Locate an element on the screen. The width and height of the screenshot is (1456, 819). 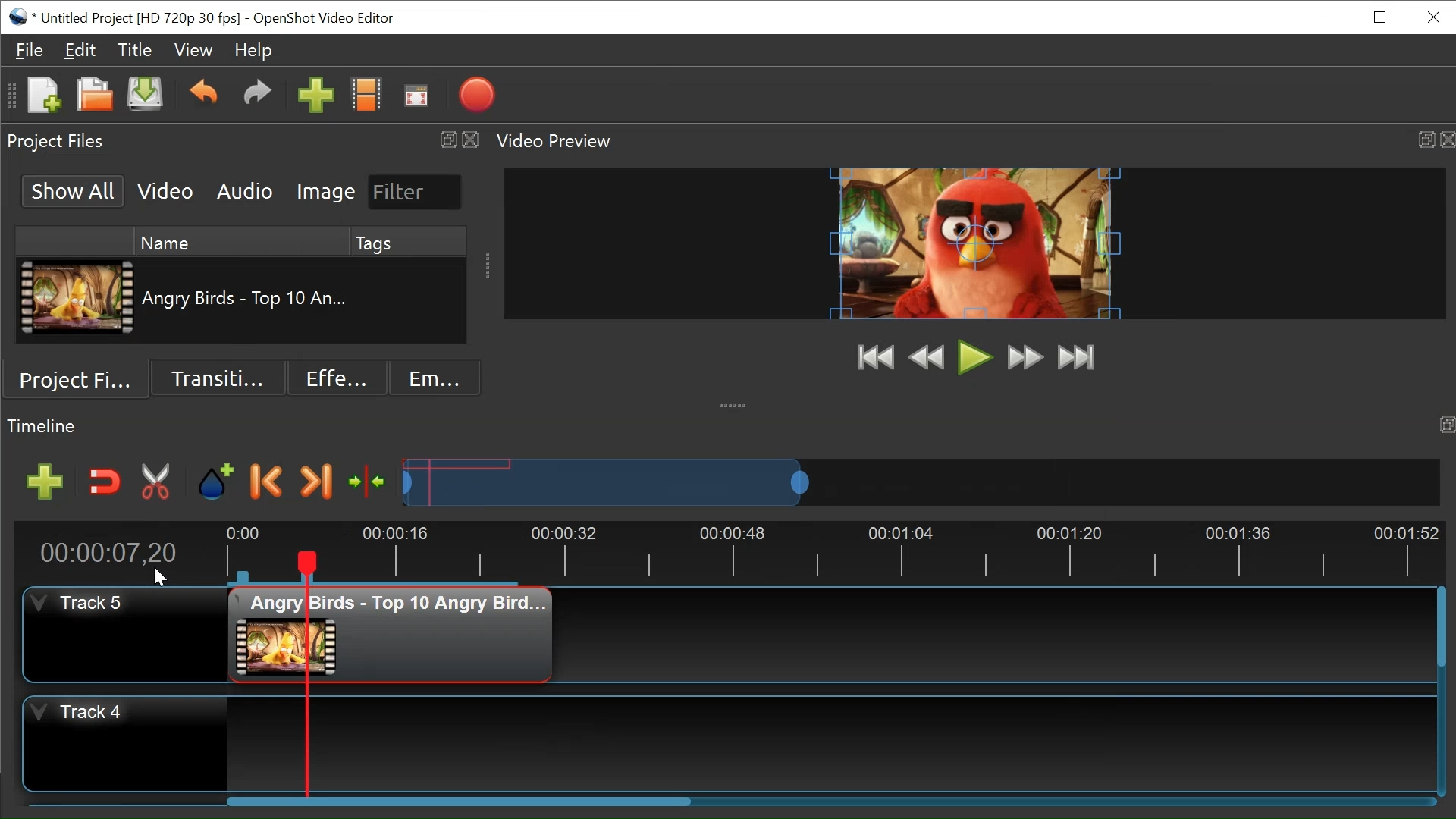
Razor is located at coordinates (158, 482).